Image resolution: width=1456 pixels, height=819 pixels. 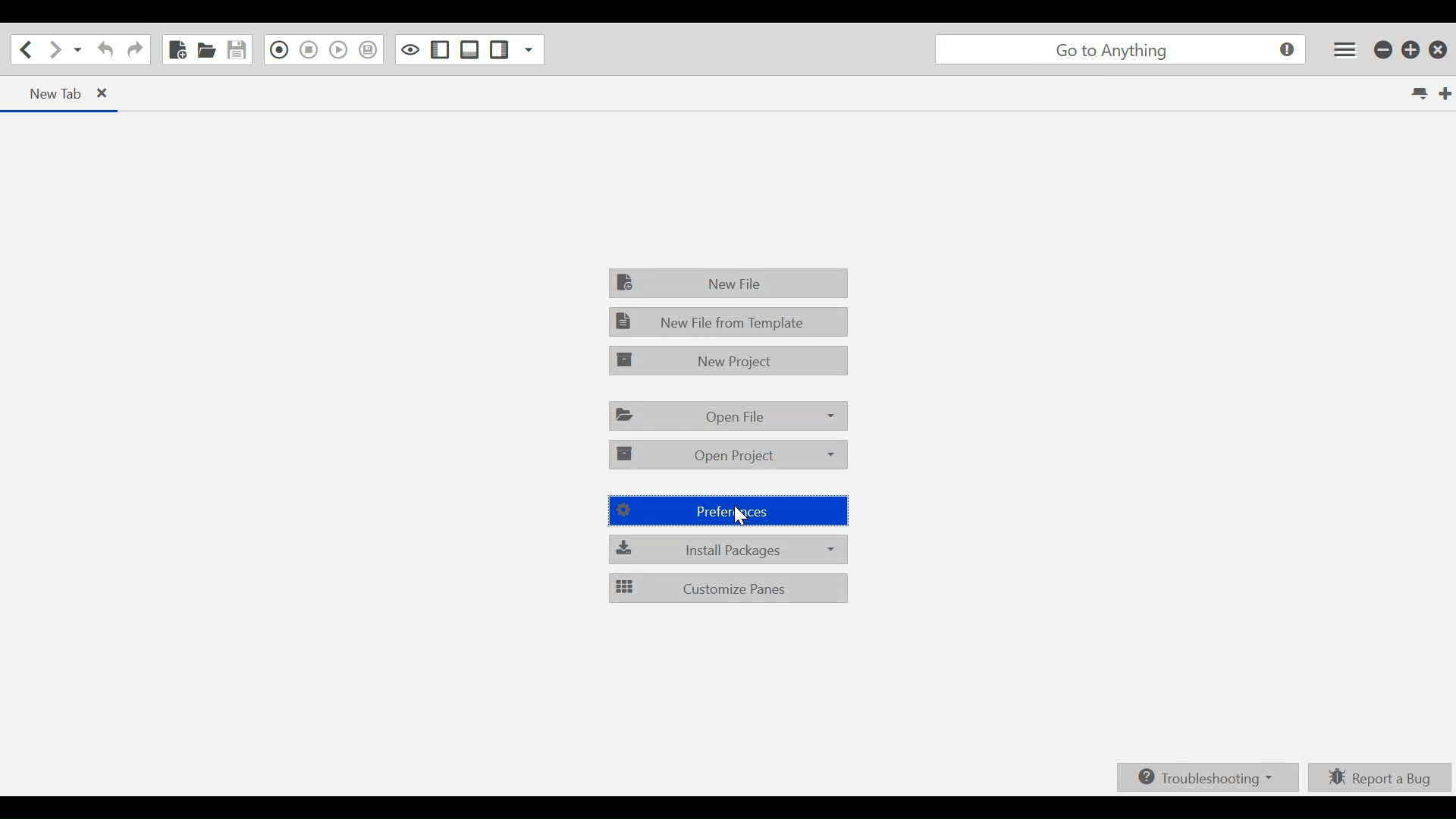 I want to click on close, so click(x=105, y=93).